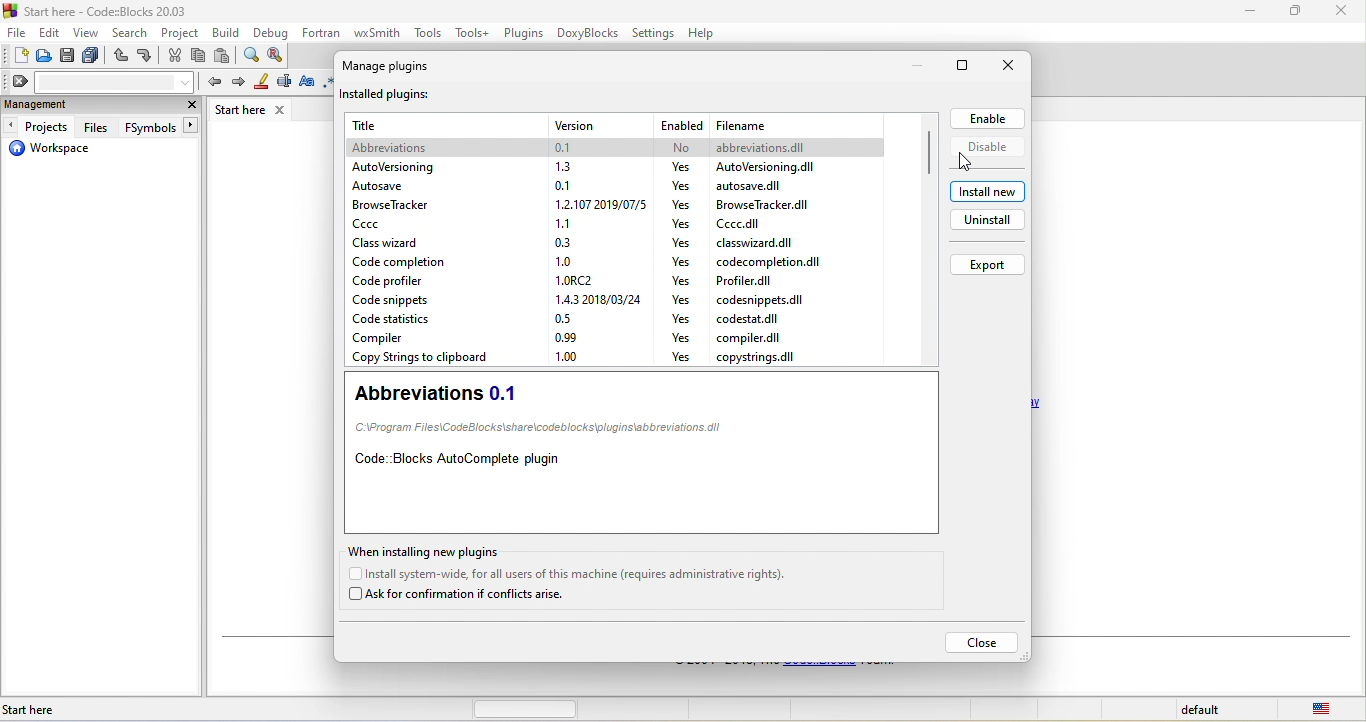 The width and height of the screenshot is (1366, 722). I want to click on selected text, so click(284, 84).